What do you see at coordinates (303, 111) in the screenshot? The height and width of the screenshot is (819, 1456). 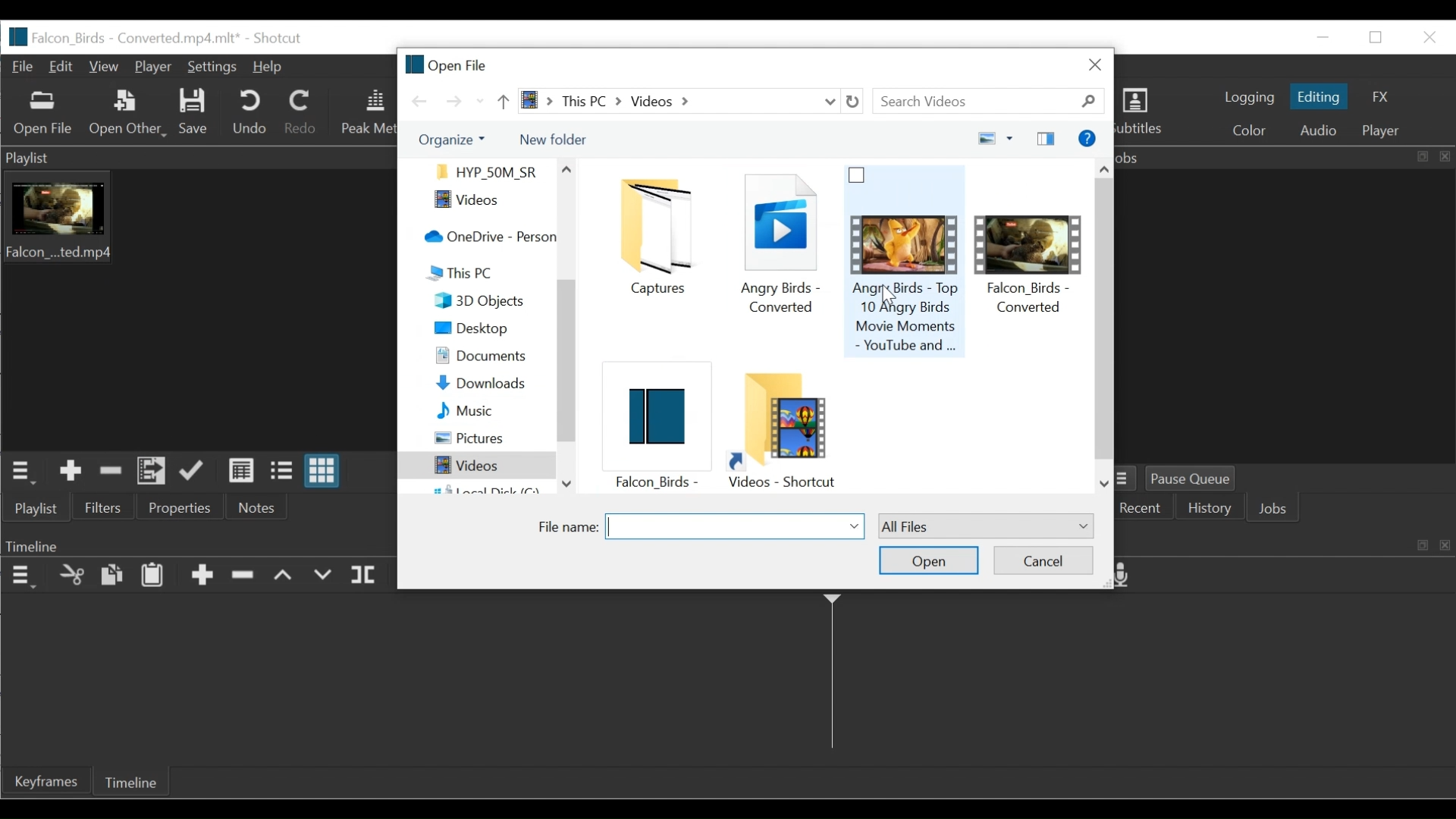 I see `Redo` at bounding box center [303, 111].